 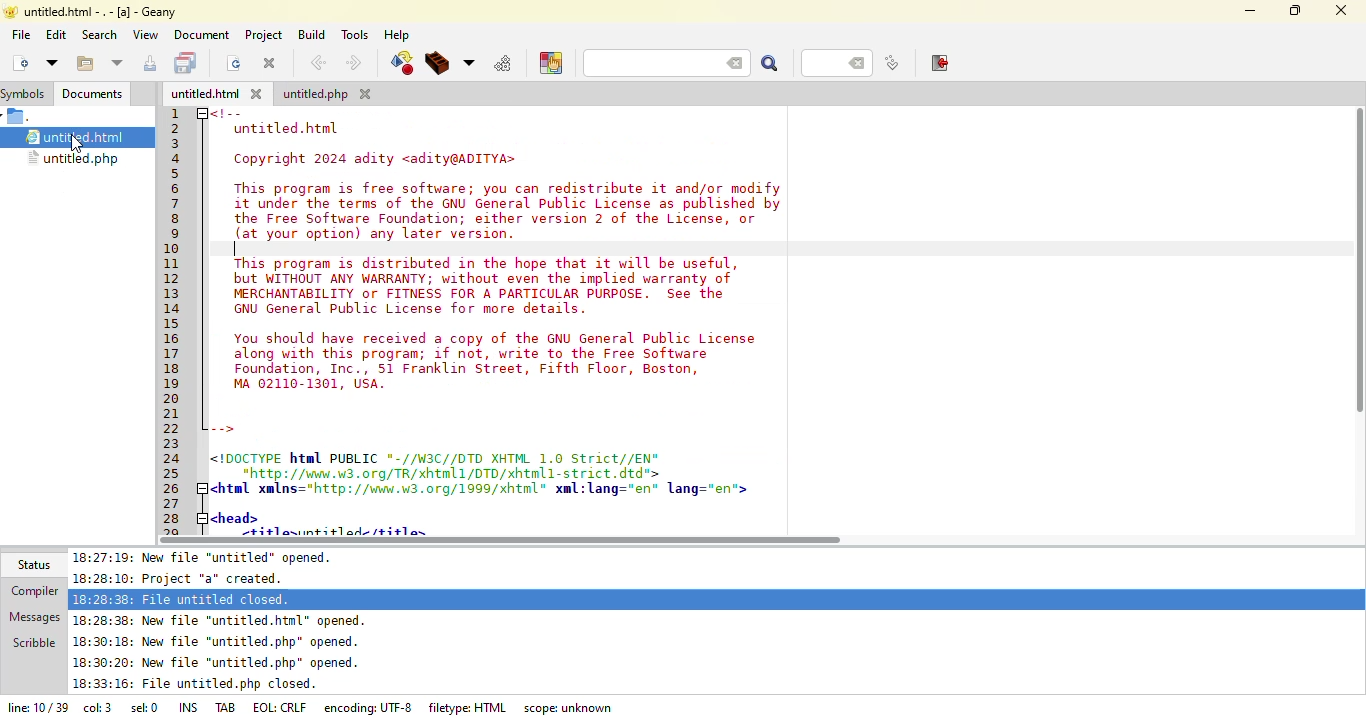 I want to click on edit, so click(x=57, y=36).